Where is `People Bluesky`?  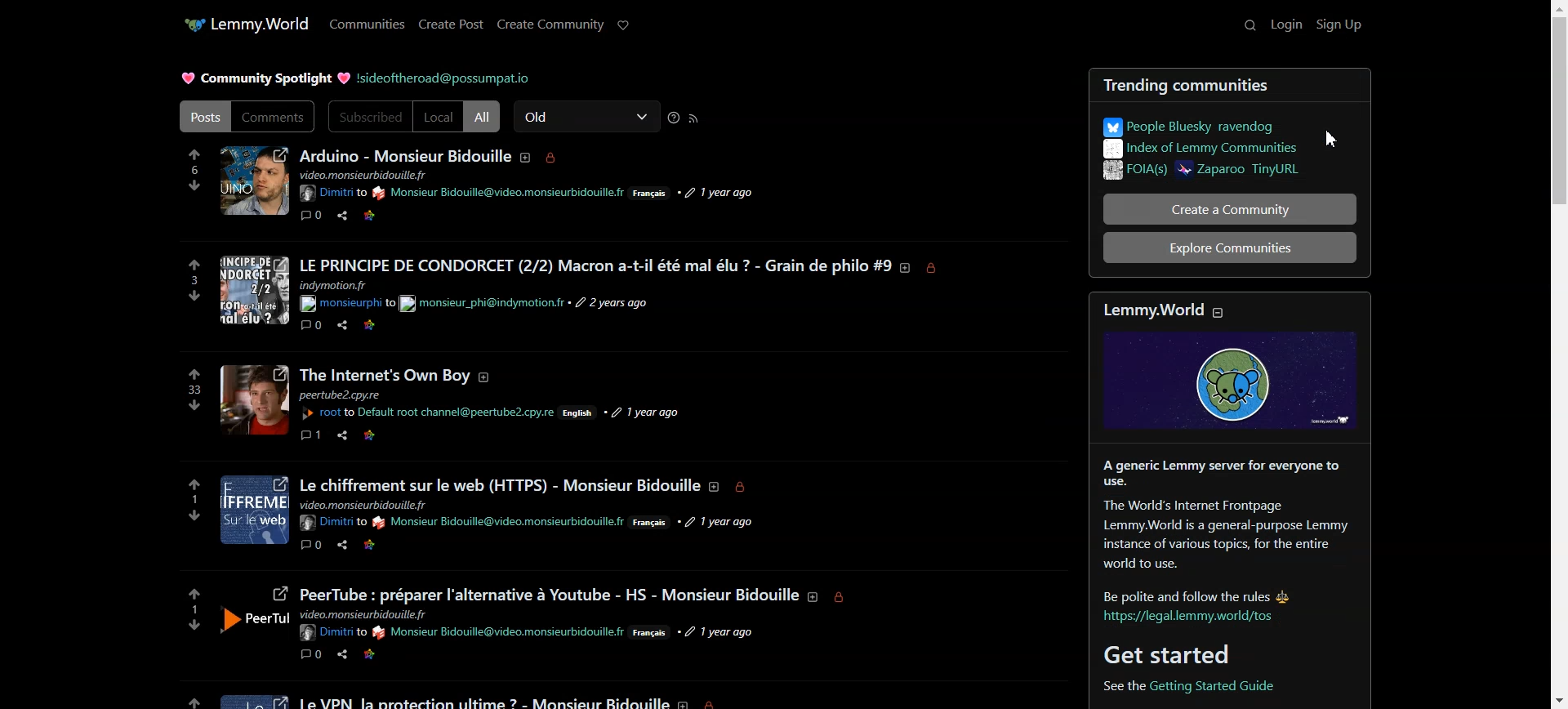 People Bluesky is located at coordinates (1201, 124).